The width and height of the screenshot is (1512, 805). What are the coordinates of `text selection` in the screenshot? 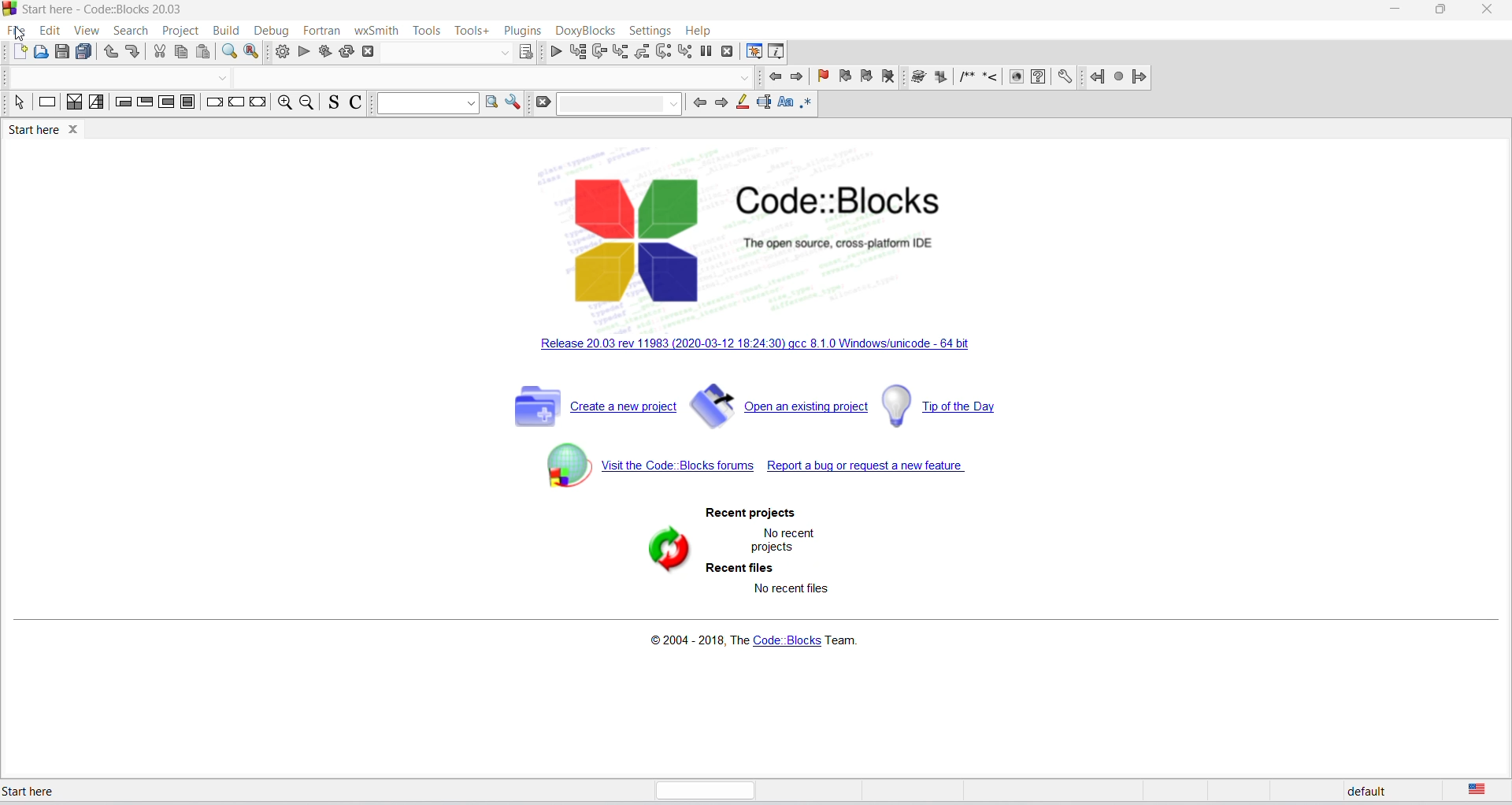 It's located at (764, 103).